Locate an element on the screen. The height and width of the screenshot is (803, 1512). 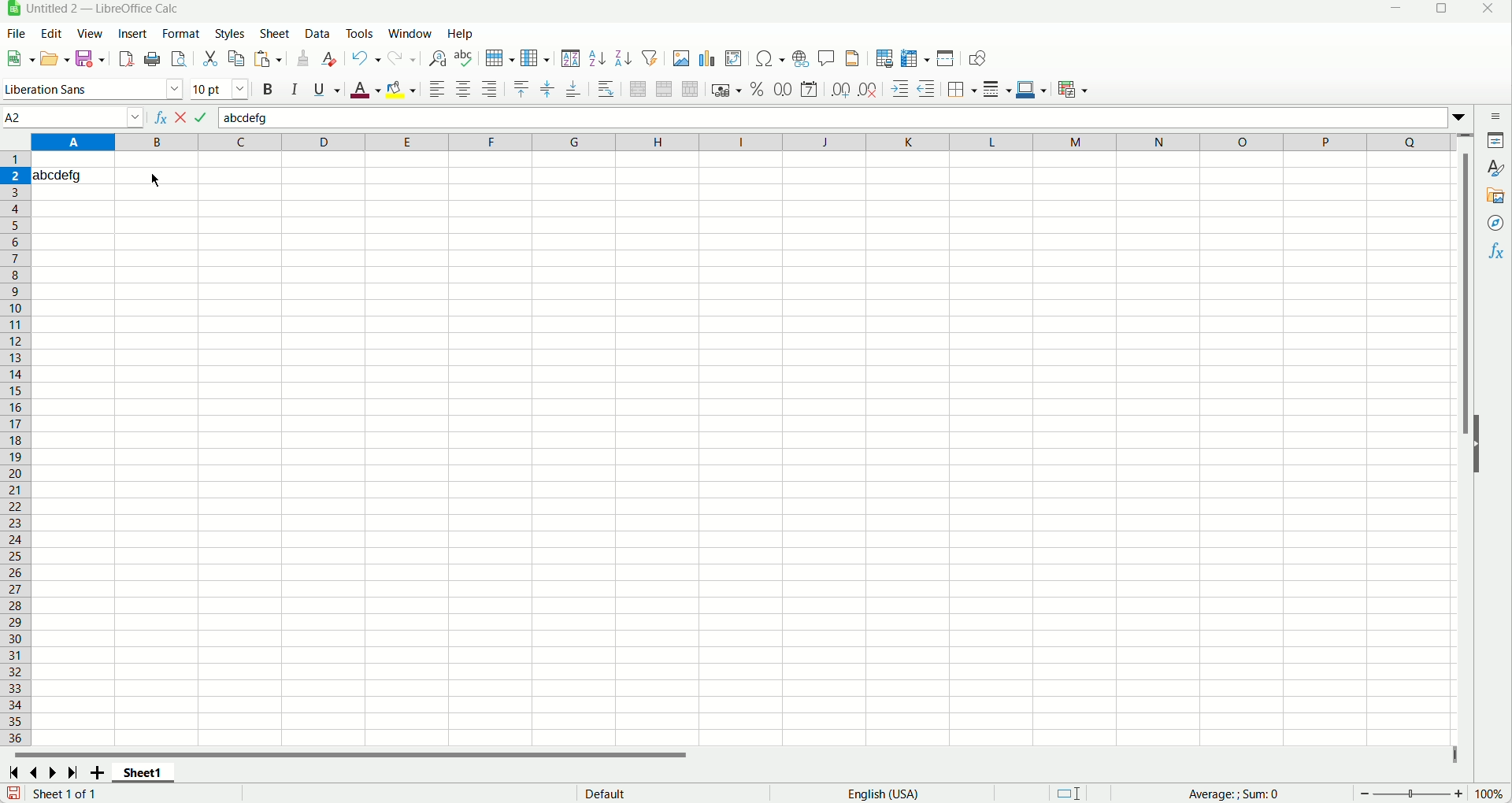
insert image is located at coordinates (681, 57).